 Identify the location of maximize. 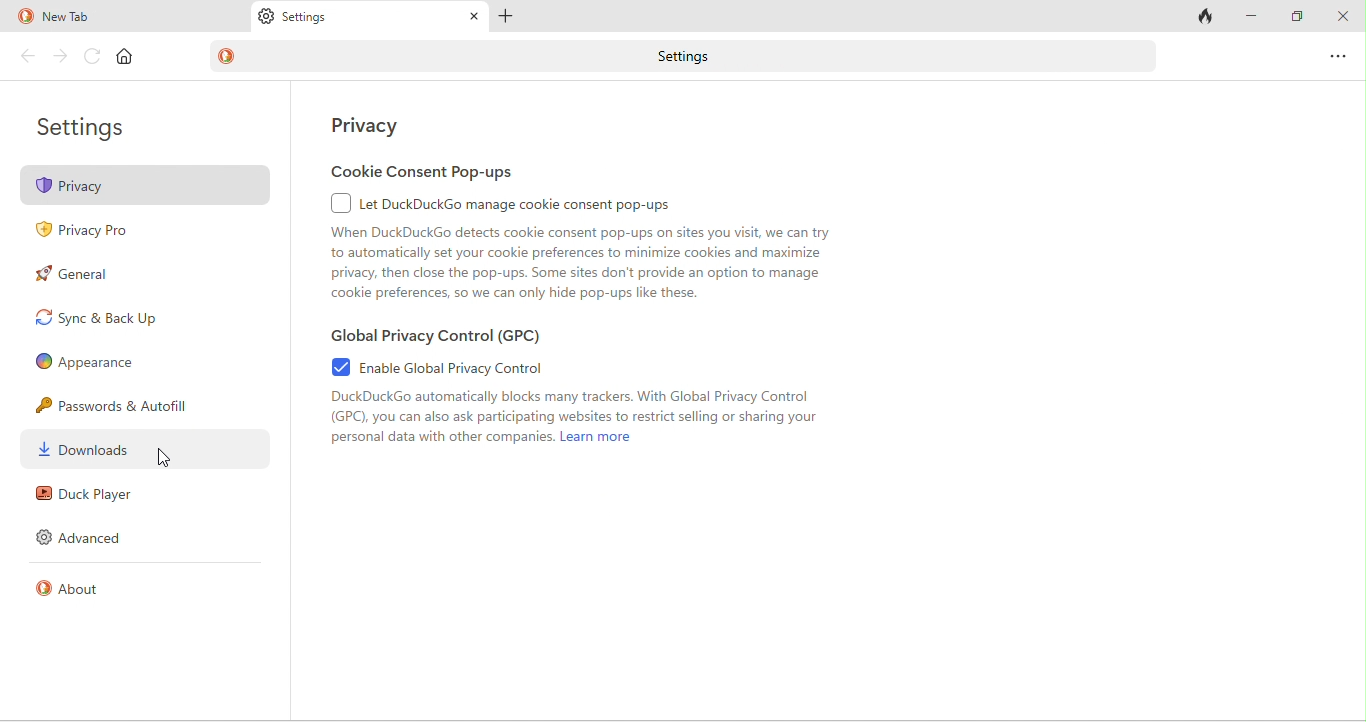
(1301, 17).